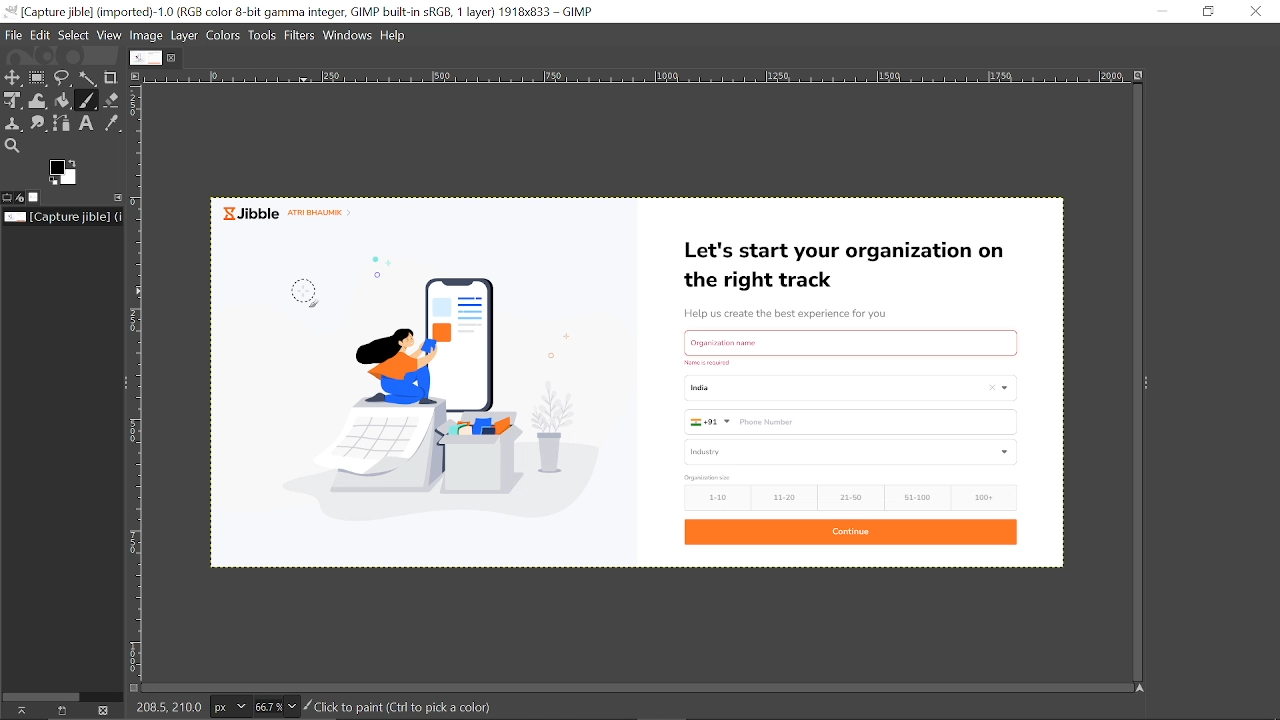 The width and height of the screenshot is (1280, 720). What do you see at coordinates (112, 100) in the screenshot?
I see `Eraser tool` at bounding box center [112, 100].